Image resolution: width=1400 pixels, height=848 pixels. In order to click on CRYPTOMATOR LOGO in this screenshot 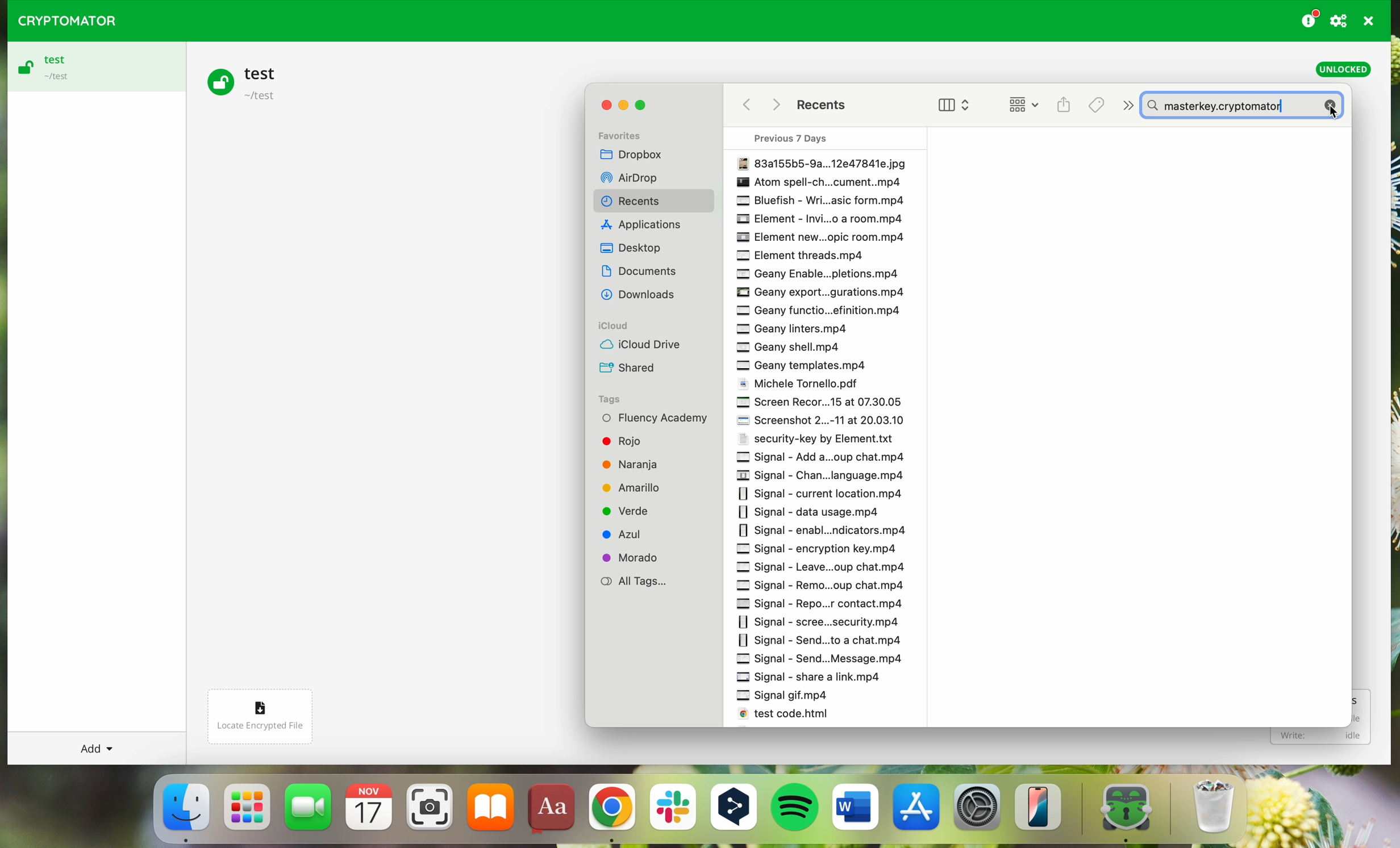, I will do `click(62, 18)`.